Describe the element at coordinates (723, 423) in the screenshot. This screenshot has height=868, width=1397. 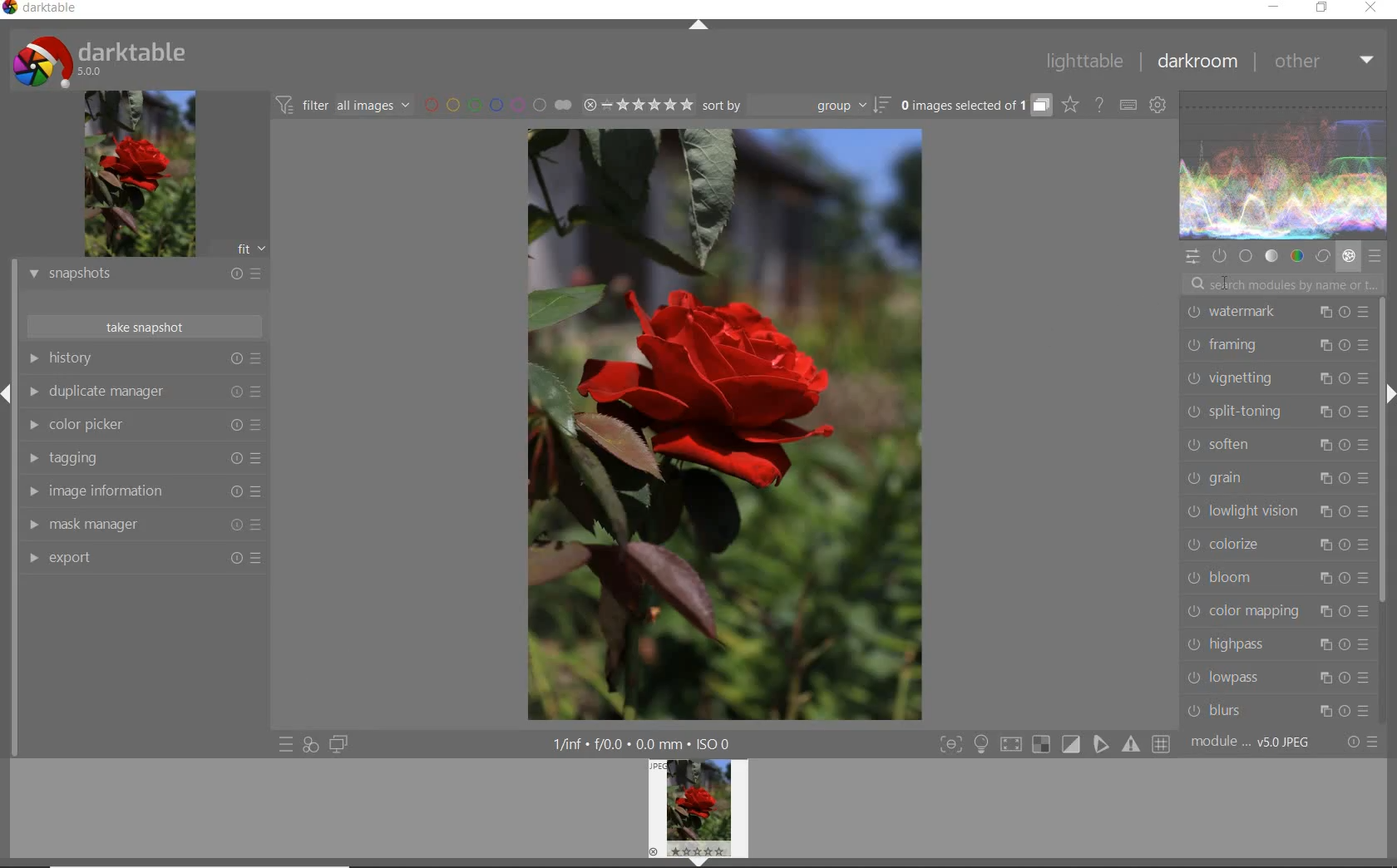
I see `selected image` at that location.